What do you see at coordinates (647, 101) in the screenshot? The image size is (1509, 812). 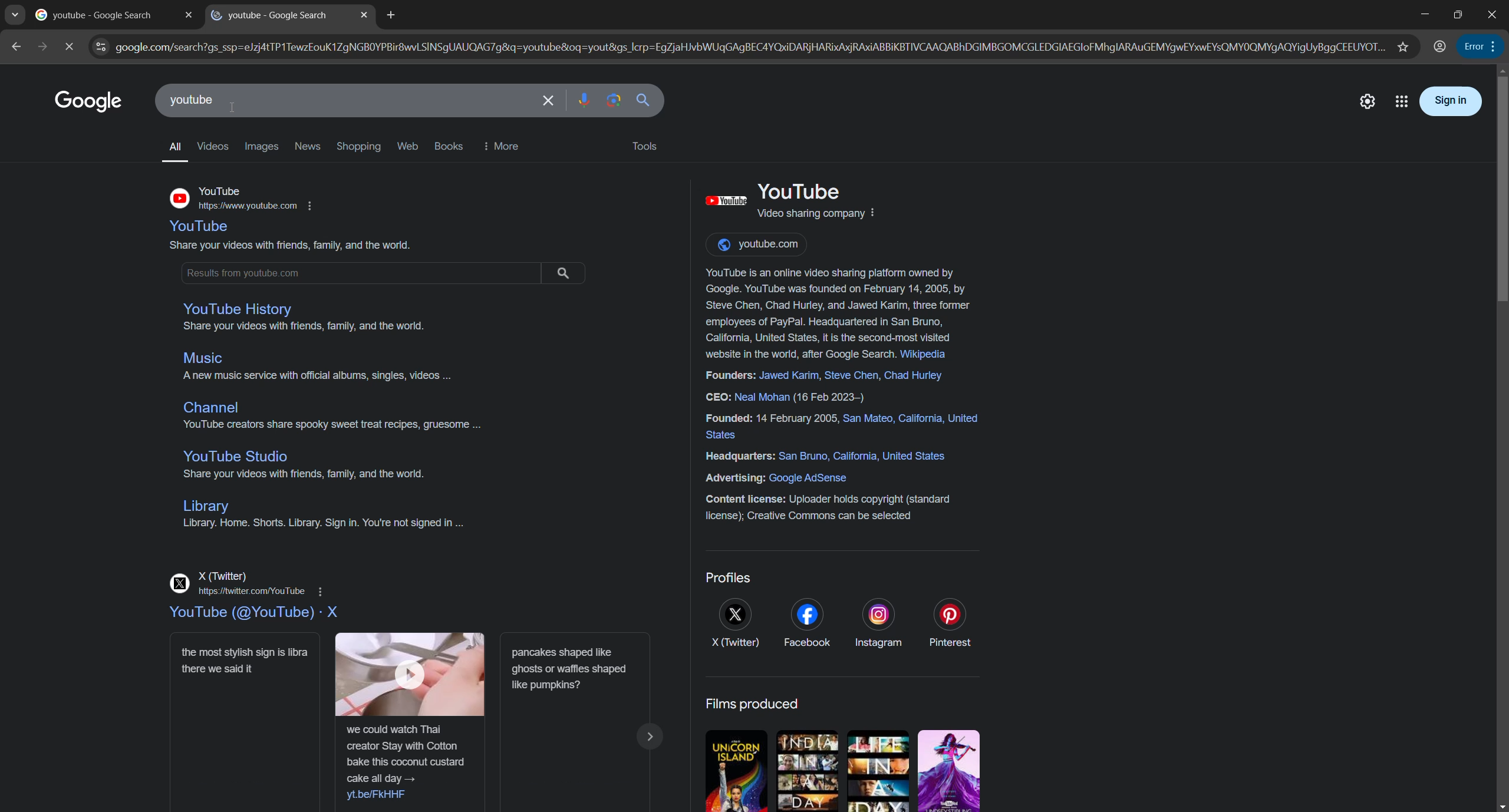 I see `search` at bounding box center [647, 101].